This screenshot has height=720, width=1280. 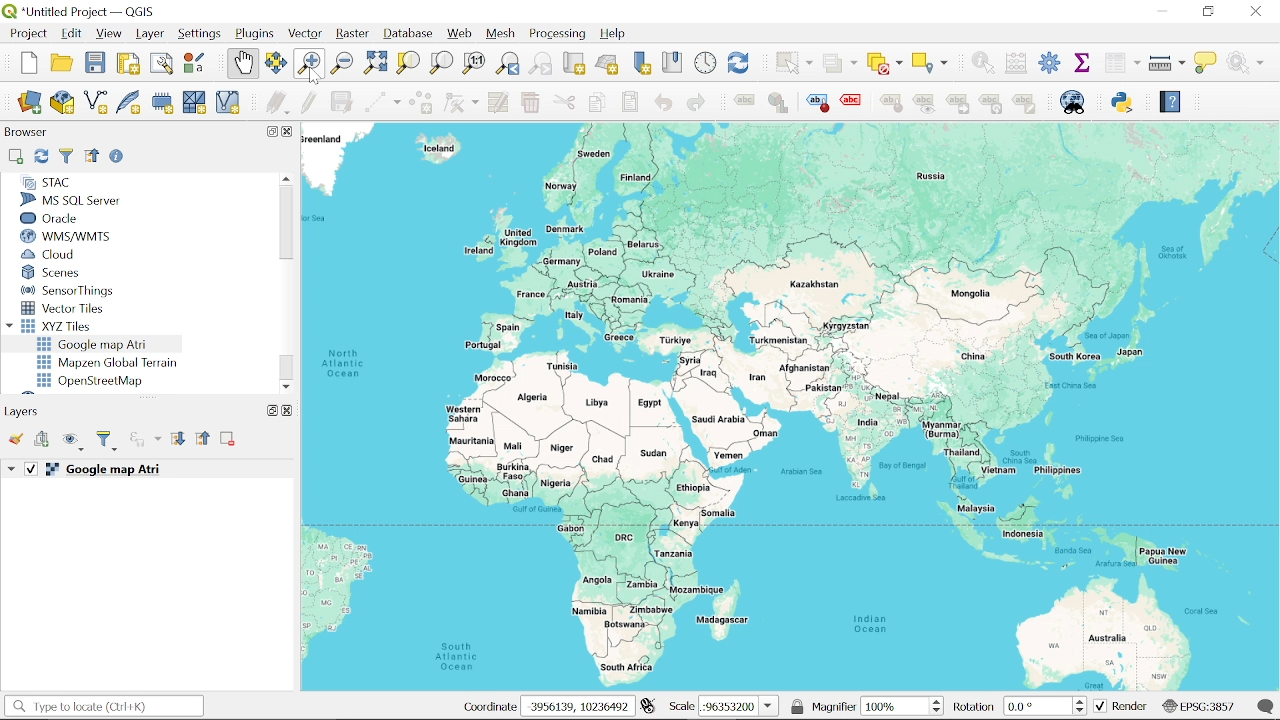 I want to click on Restore down, so click(x=1208, y=11).